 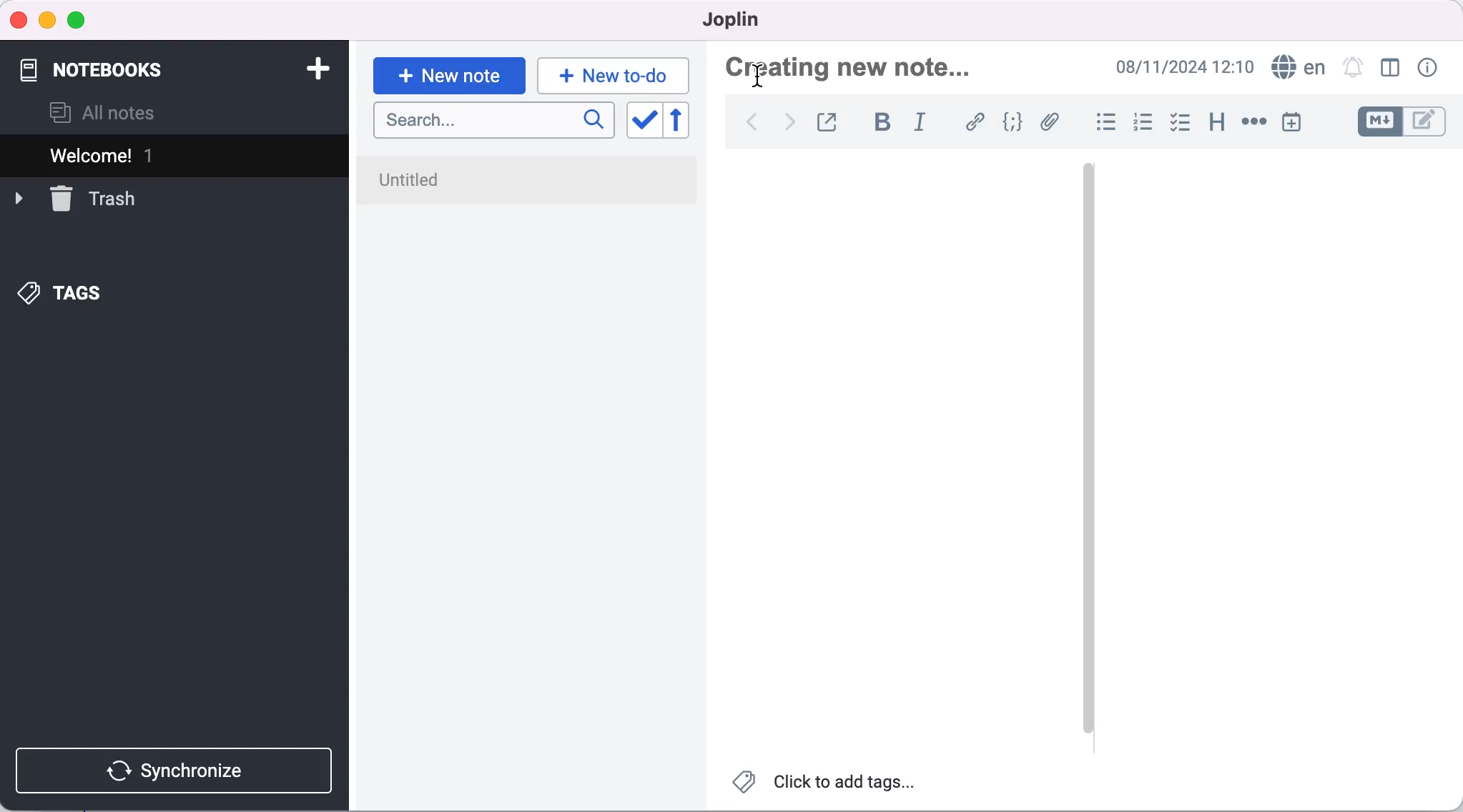 I want to click on minimize, so click(x=49, y=19).